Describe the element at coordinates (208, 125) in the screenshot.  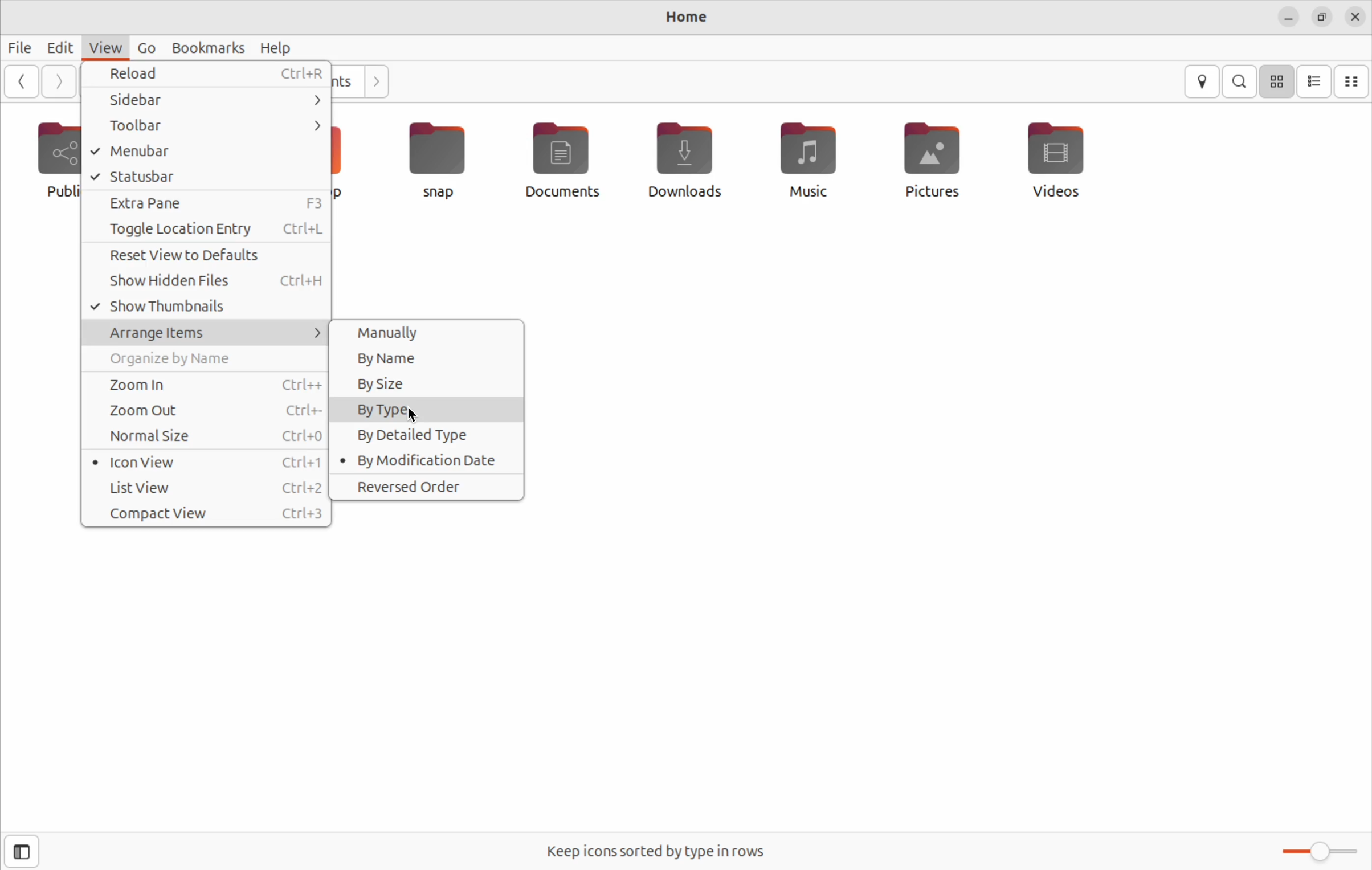
I see `tool bar` at that location.